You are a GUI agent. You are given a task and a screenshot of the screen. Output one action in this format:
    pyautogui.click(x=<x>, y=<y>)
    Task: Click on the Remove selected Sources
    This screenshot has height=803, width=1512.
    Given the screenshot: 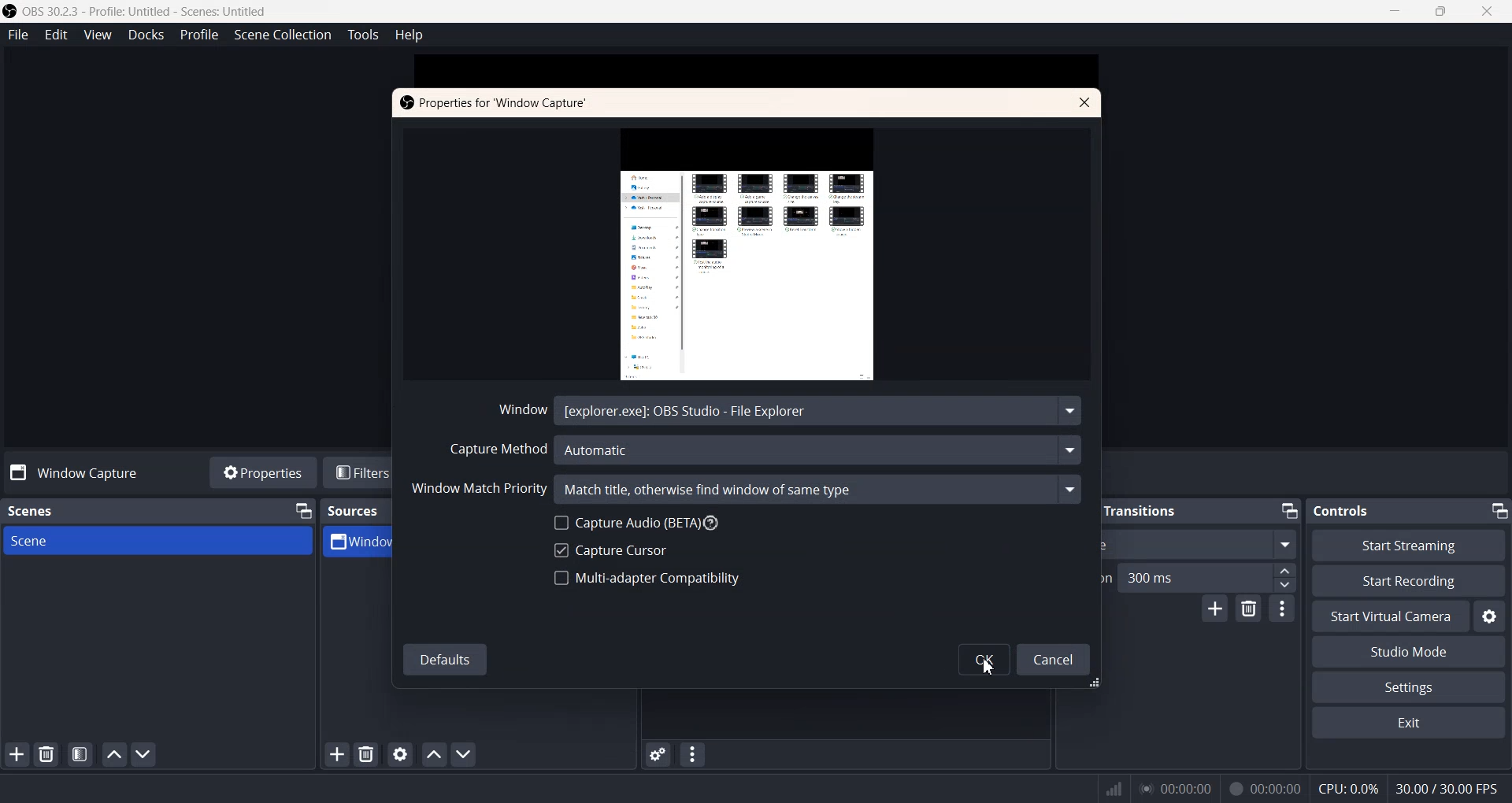 What is the action you would take?
    pyautogui.click(x=368, y=753)
    